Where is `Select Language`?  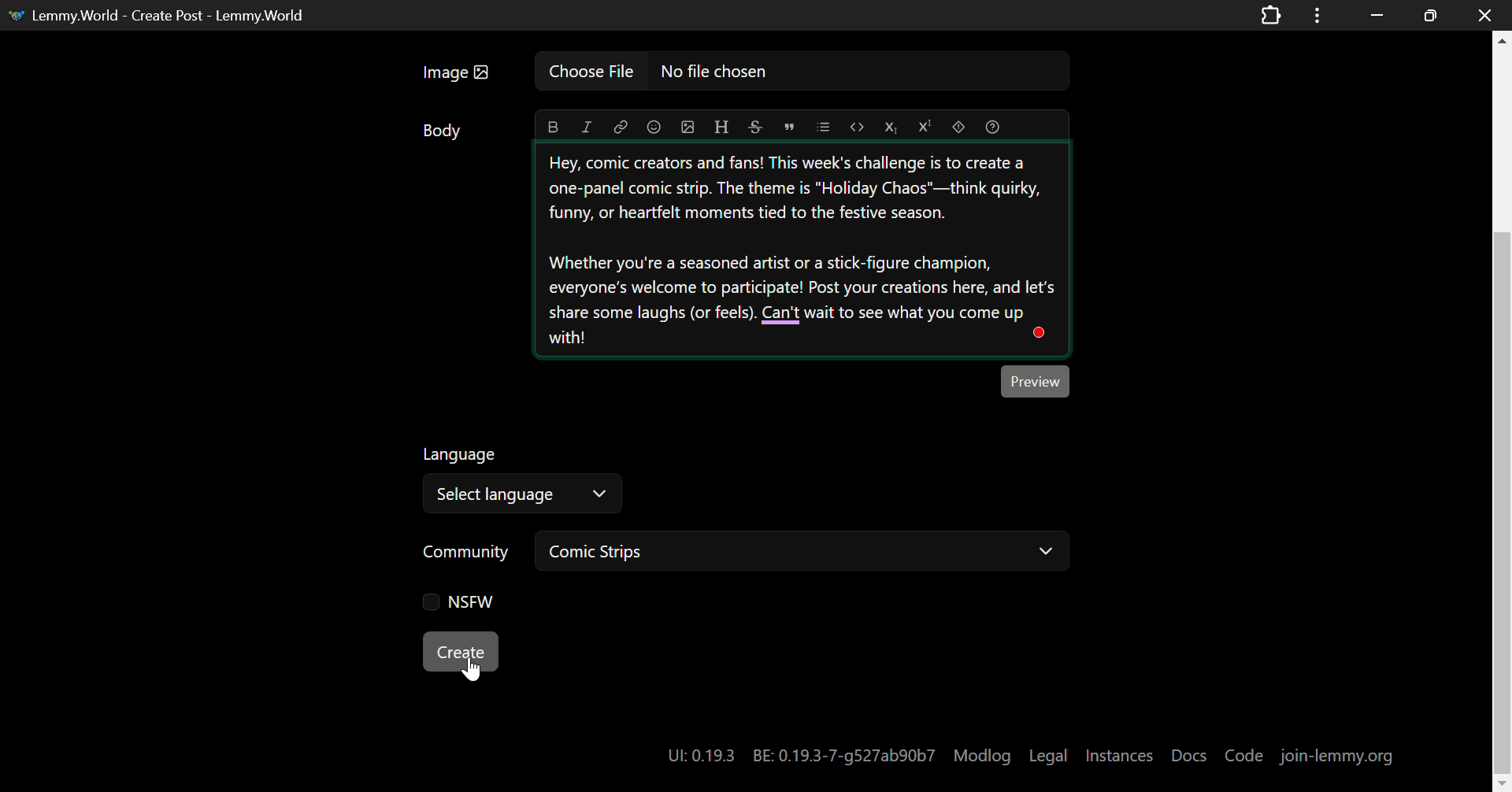
Select Language is located at coordinates (525, 493).